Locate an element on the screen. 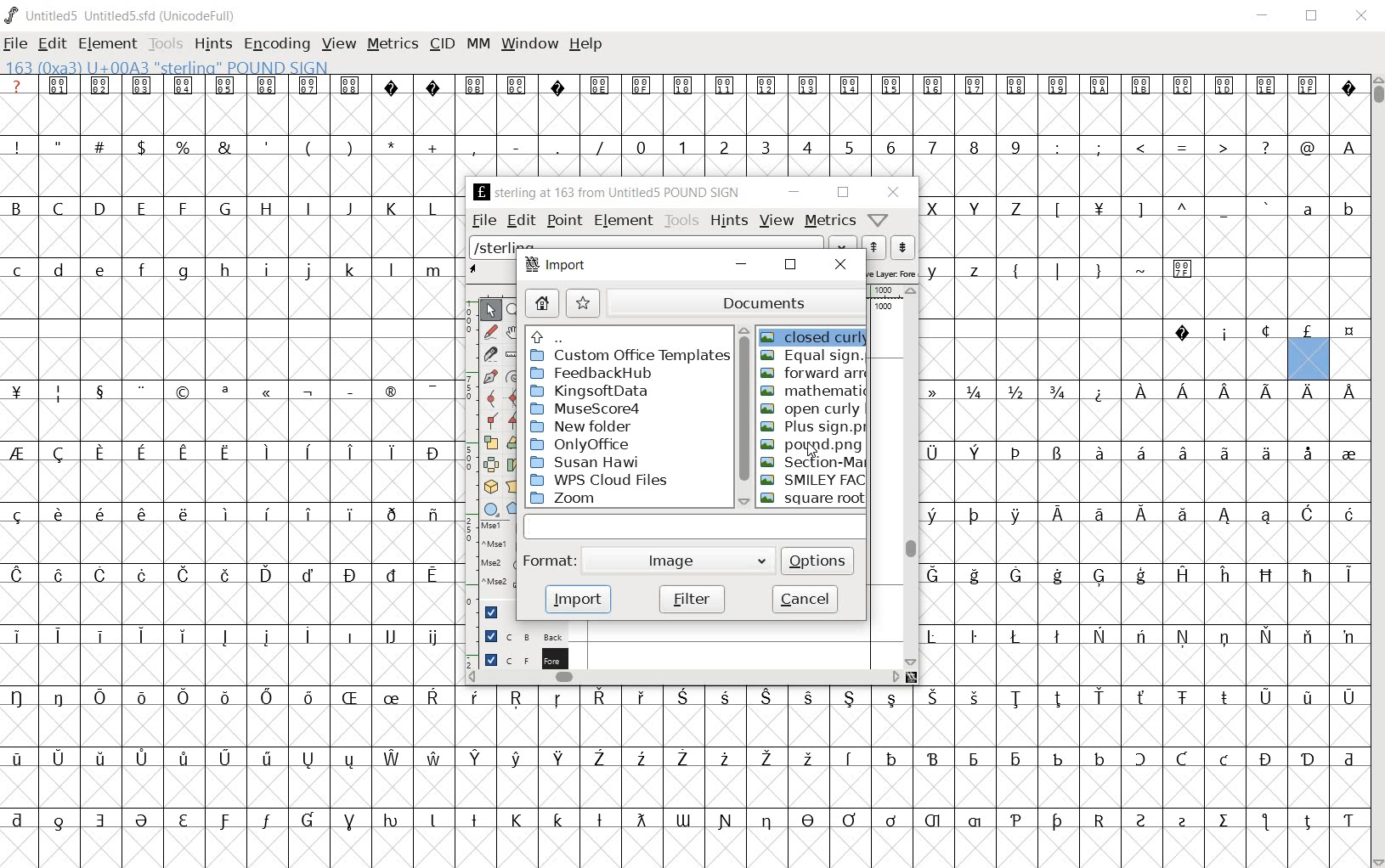  open curly is located at coordinates (811, 408).